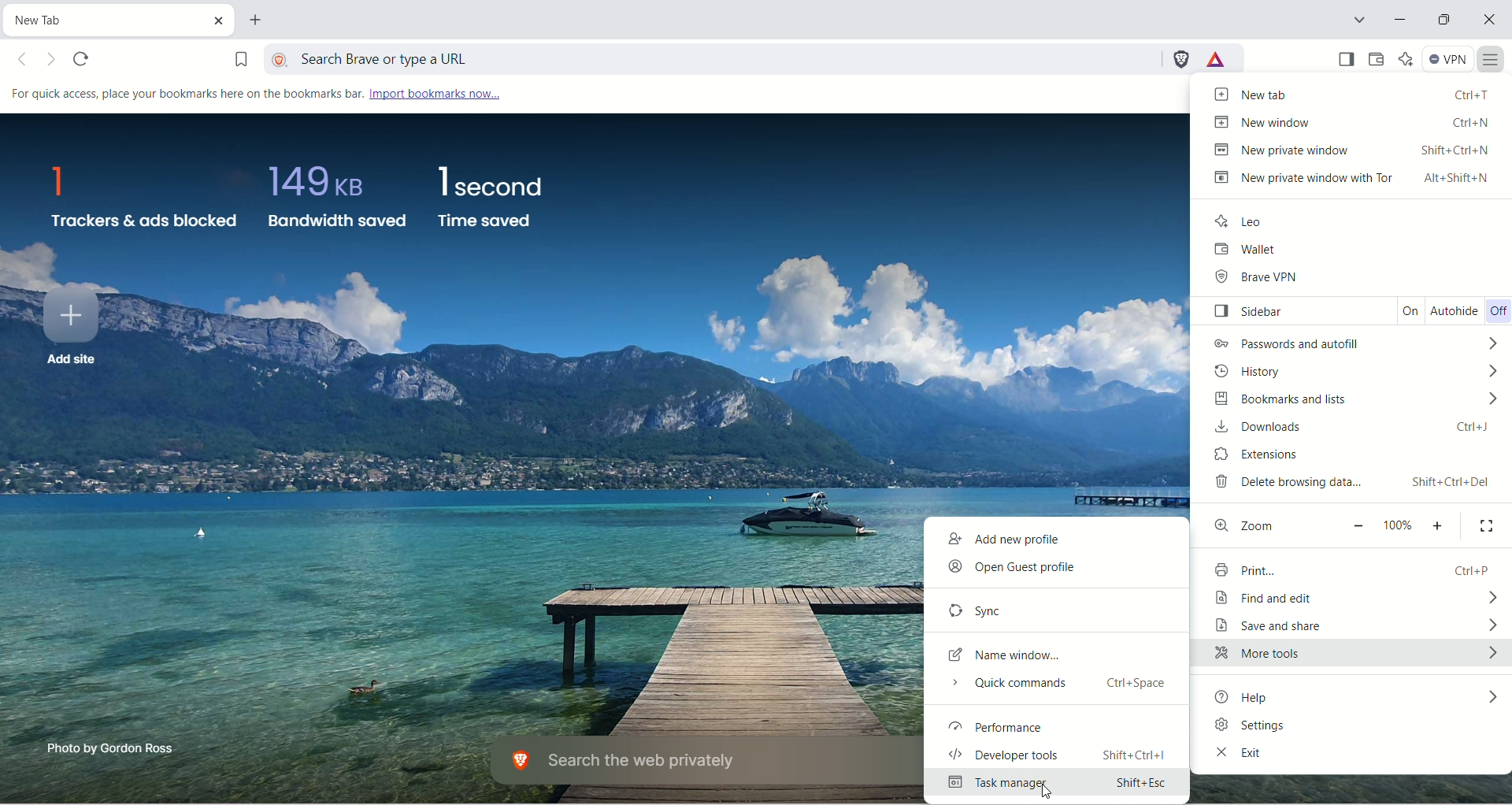 Image resolution: width=1512 pixels, height=805 pixels. Describe the element at coordinates (1354, 596) in the screenshot. I see `find and edit` at that location.